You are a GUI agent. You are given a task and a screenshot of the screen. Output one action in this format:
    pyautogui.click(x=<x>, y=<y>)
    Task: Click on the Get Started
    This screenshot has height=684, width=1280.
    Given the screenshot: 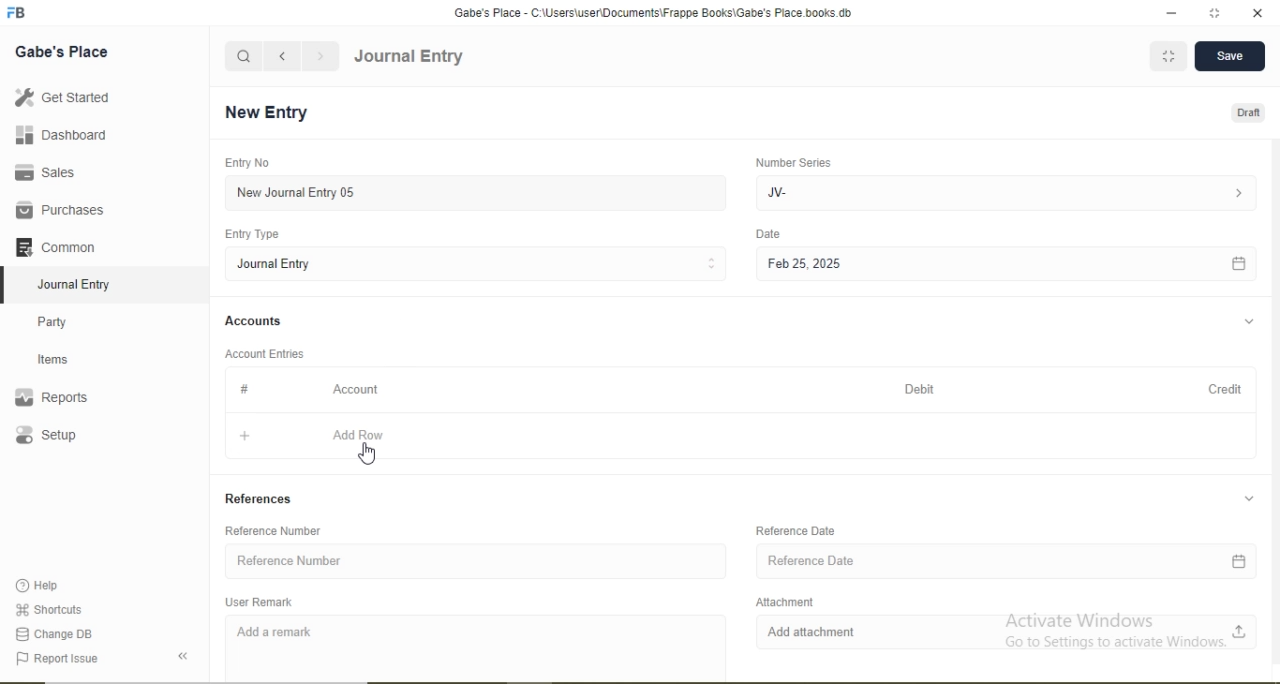 What is the action you would take?
    pyautogui.click(x=60, y=97)
    